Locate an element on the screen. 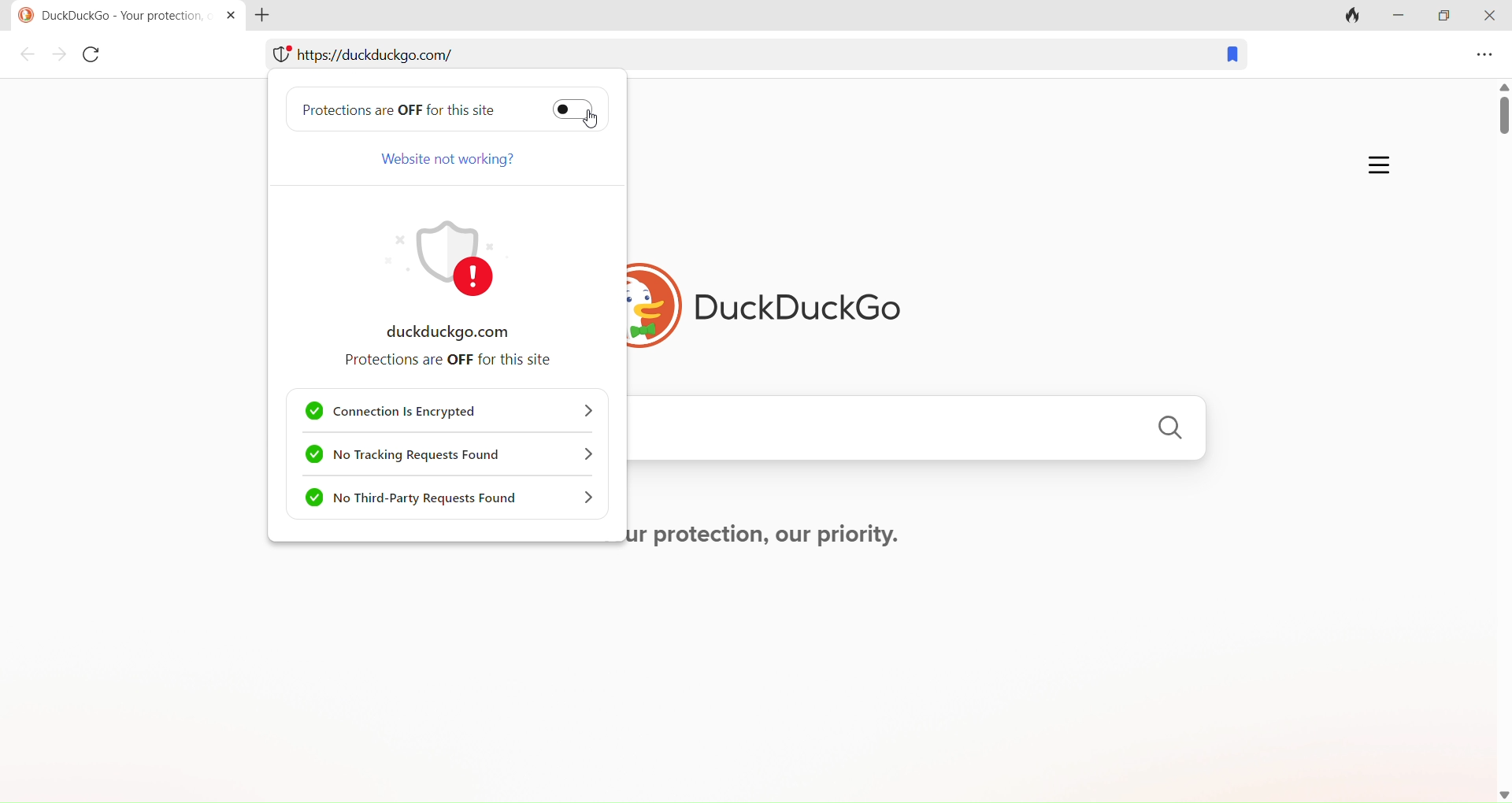  down is located at coordinates (1496, 791).